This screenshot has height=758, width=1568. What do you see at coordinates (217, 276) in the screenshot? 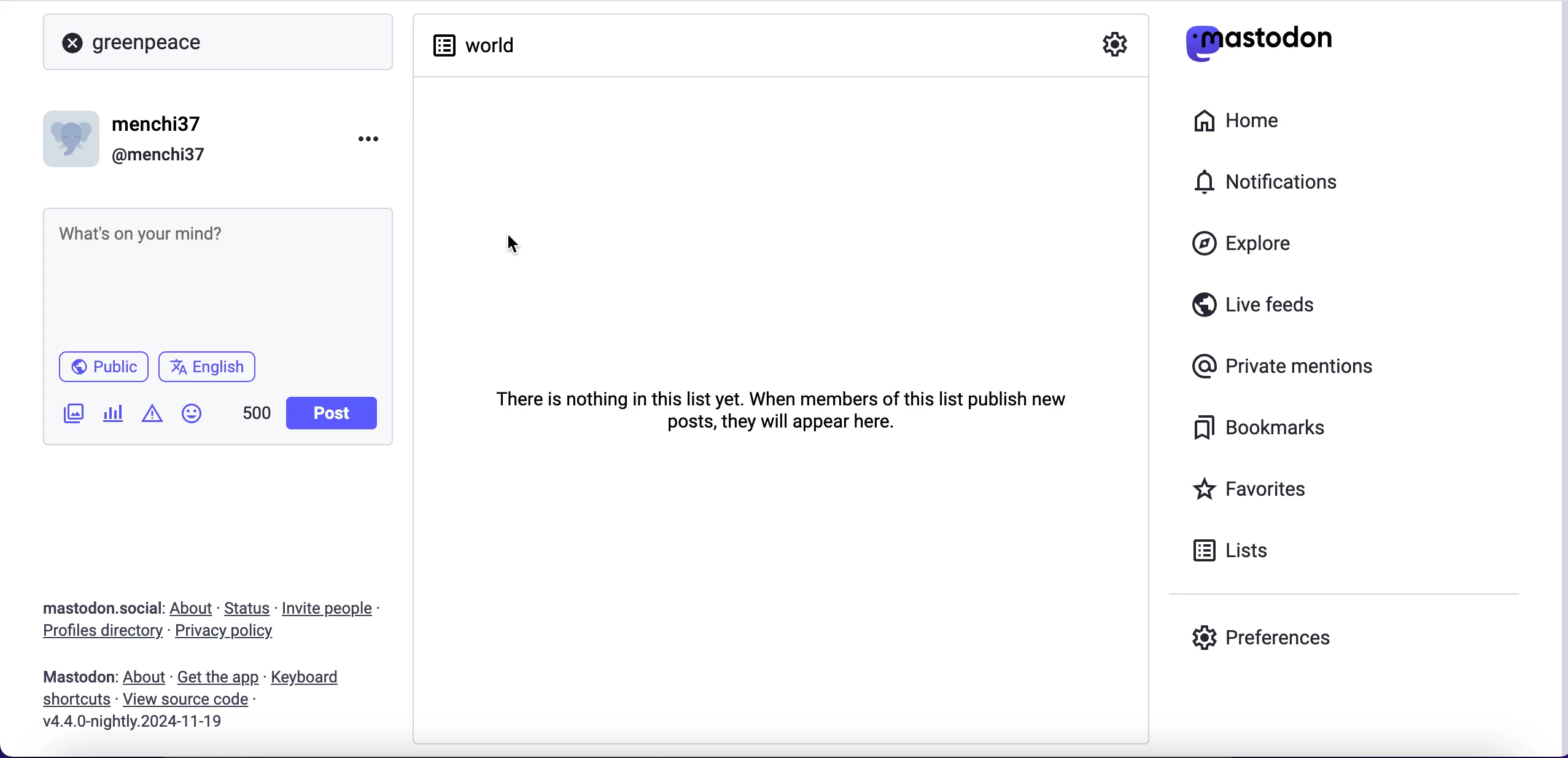
I see `post what's n your mind` at bounding box center [217, 276].